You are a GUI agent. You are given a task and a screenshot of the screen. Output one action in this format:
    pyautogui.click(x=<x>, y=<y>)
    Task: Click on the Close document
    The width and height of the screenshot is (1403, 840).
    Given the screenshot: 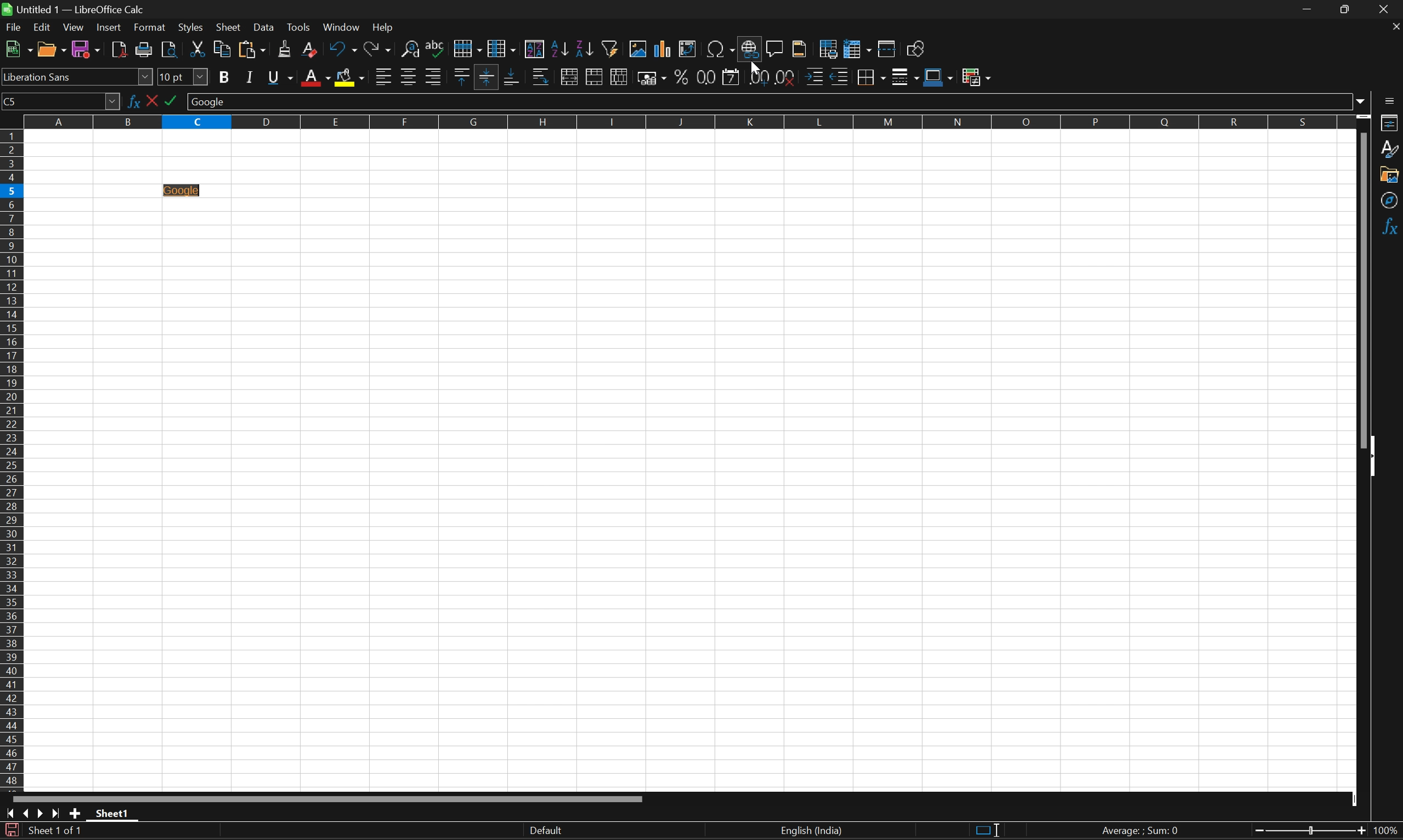 What is the action you would take?
    pyautogui.click(x=1395, y=25)
    